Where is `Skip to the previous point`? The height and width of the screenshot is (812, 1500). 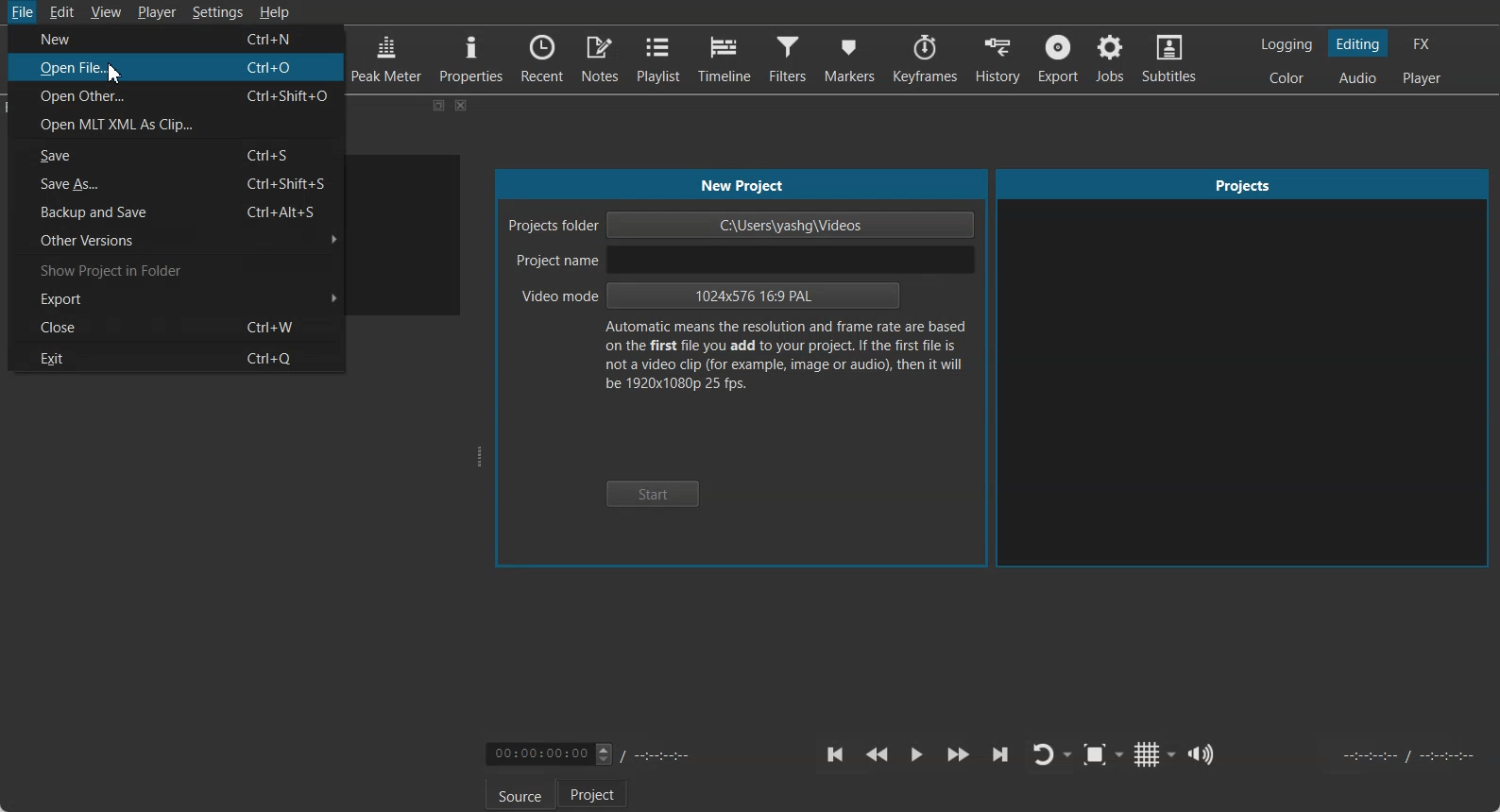 Skip to the previous point is located at coordinates (836, 754).